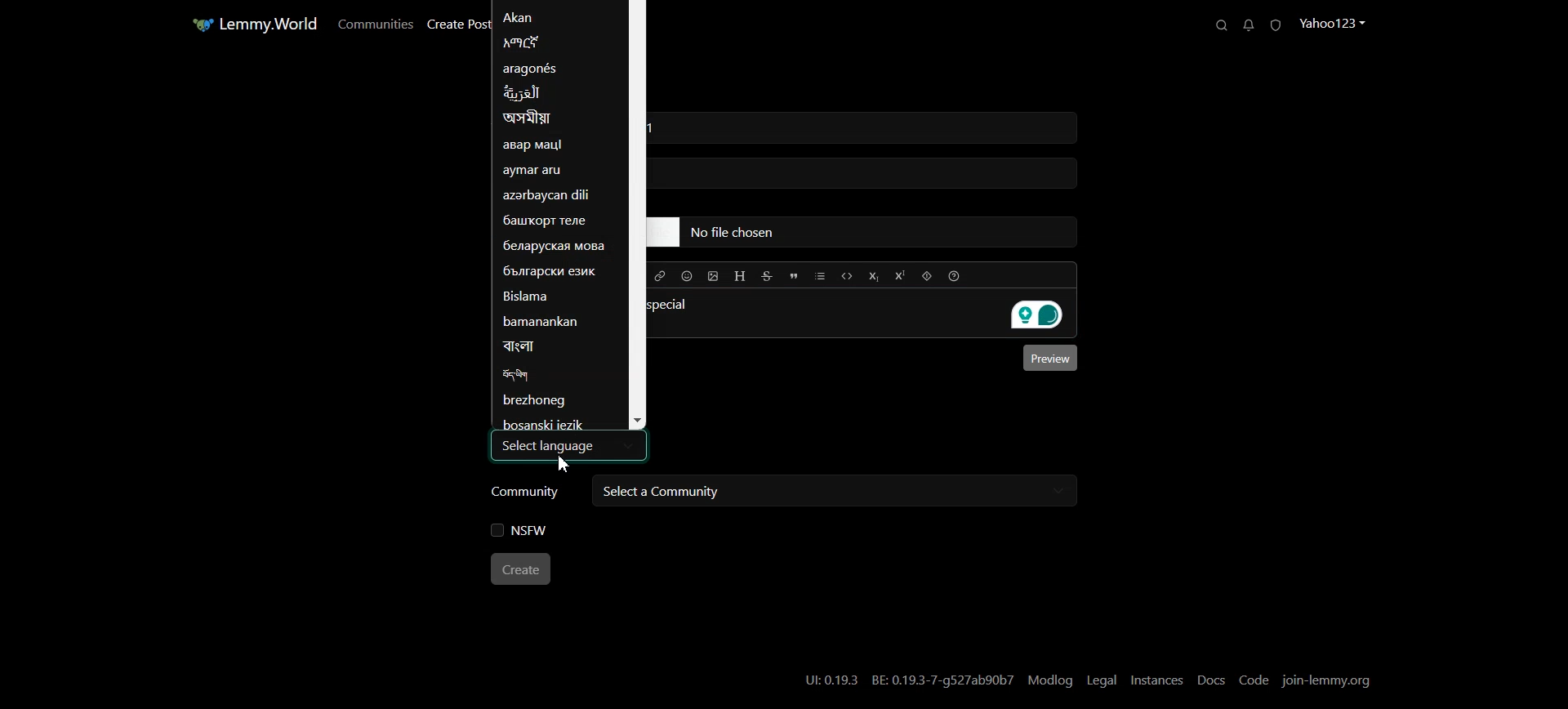  I want to click on Cursor, so click(565, 463).